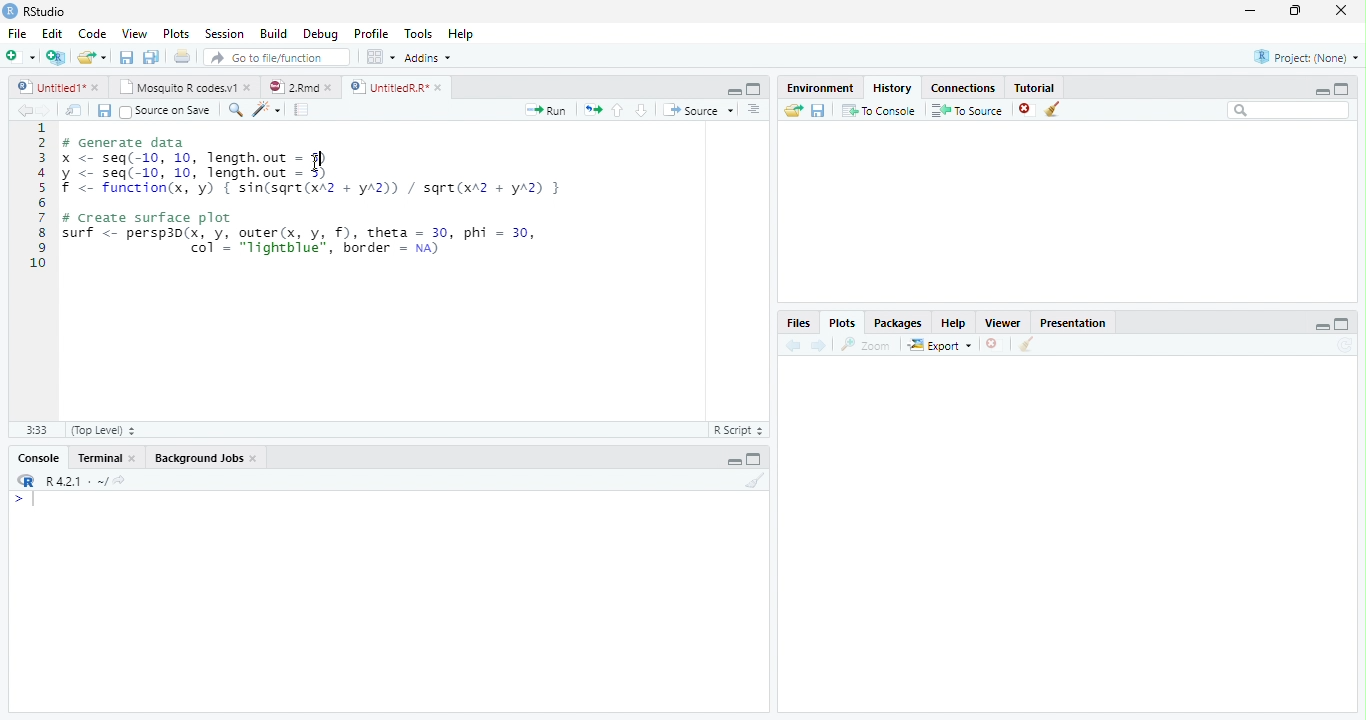 Image resolution: width=1366 pixels, height=720 pixels. What do you see at coordinates (39, 197) in the screenshot?
I see `Line numbers` at bounding box center [39, 197].